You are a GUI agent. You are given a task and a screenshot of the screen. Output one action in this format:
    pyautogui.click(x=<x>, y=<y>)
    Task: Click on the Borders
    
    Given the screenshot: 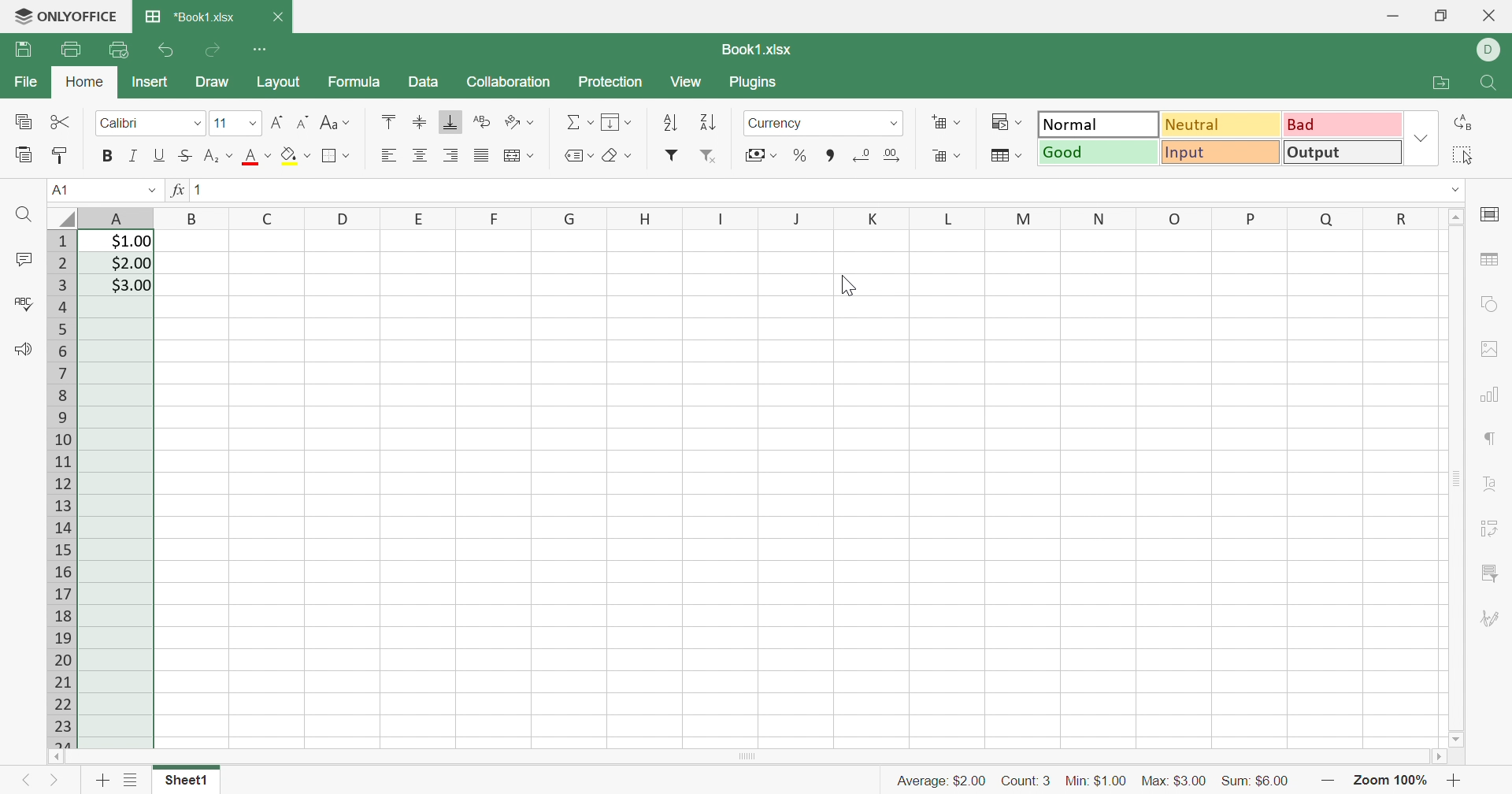 What is the action you would take?
    pyautogui.click(x=335, y=155)
    